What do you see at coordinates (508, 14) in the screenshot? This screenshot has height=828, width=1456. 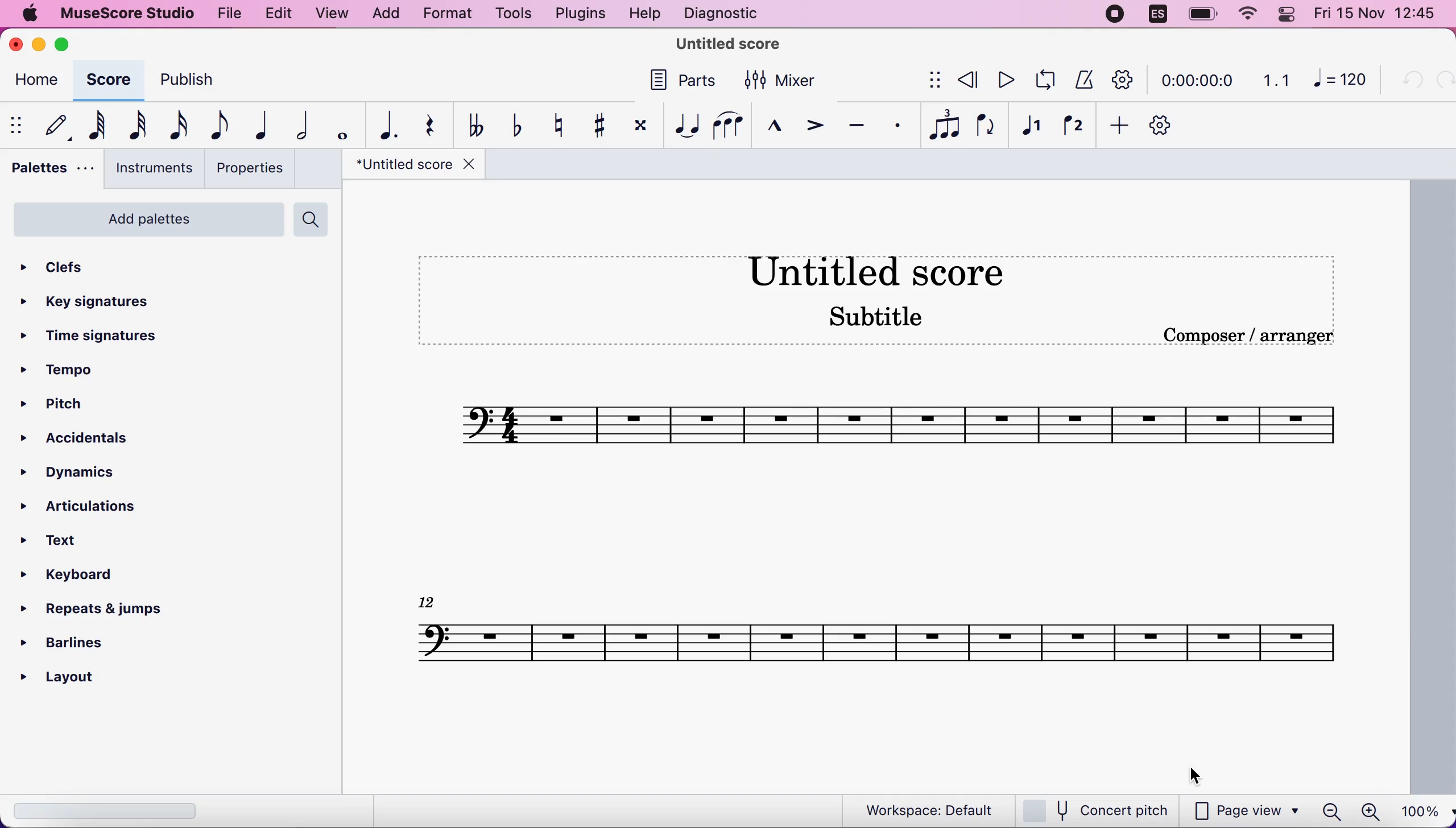 I see `tools` at bounding box center [508, 14].